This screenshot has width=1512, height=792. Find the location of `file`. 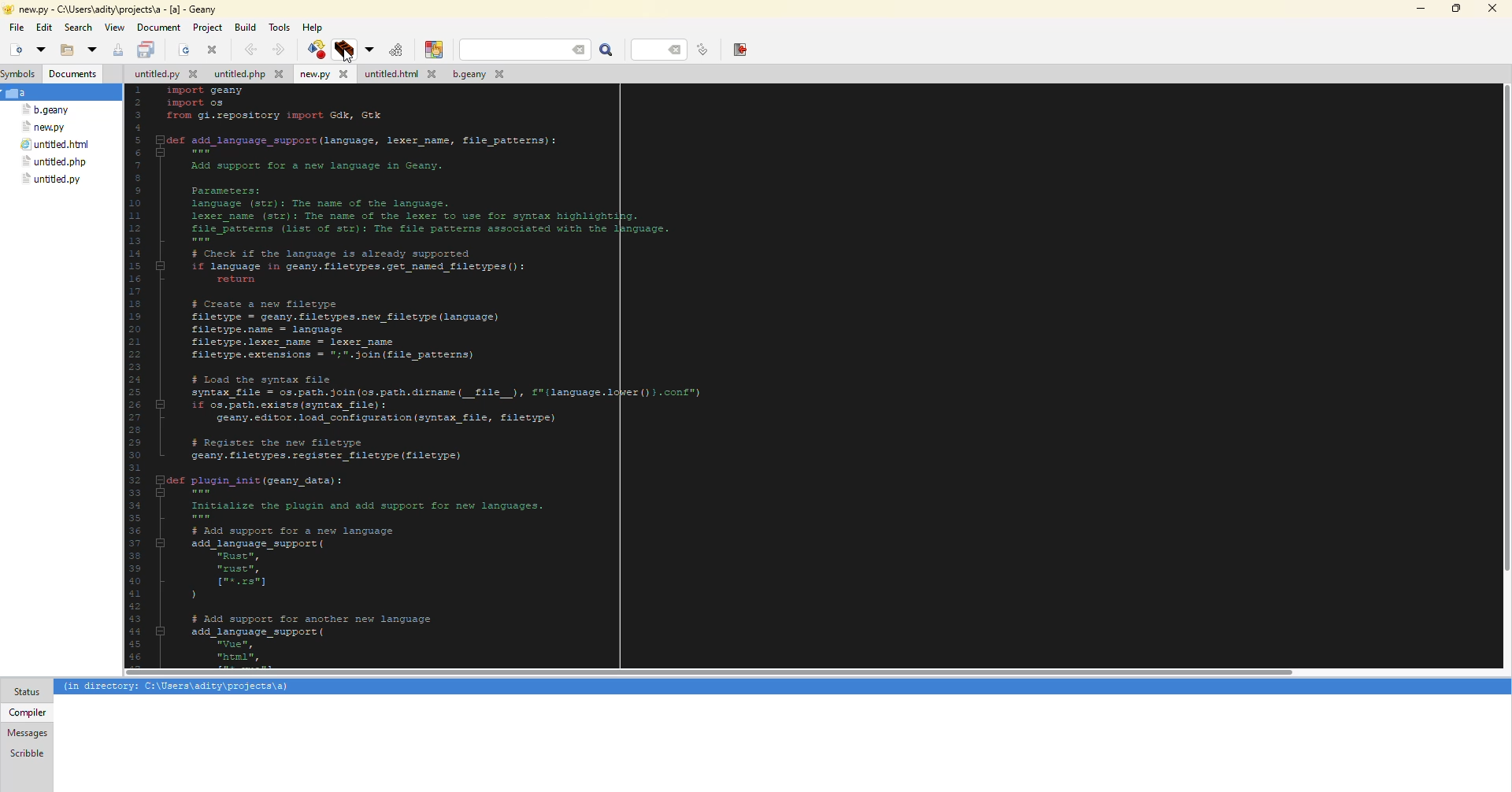

file is located at coordinates (59, 144).